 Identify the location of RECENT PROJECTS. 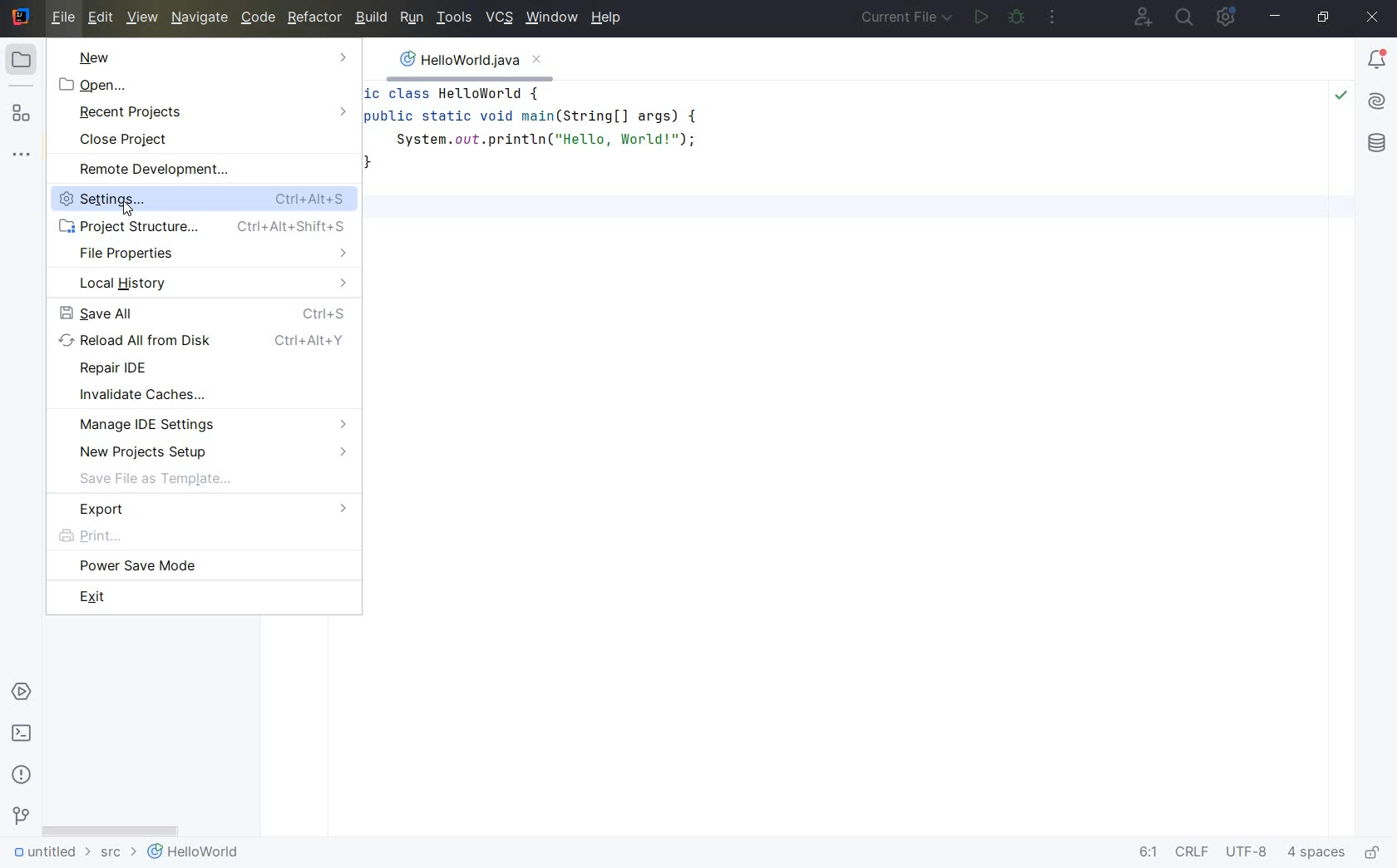
(212, 112).